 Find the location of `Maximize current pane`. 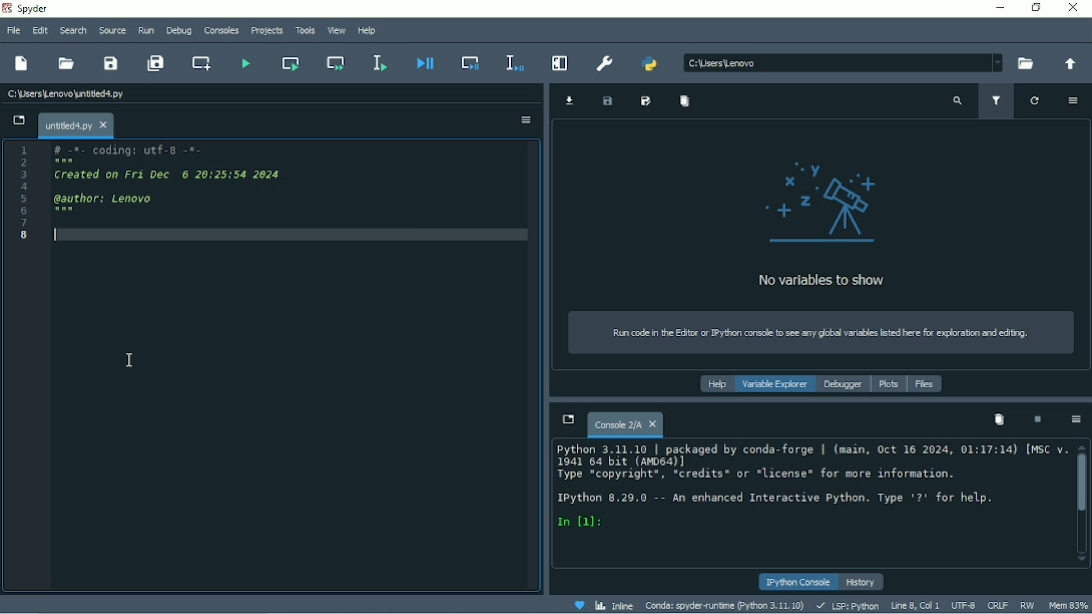

Maximize current pane is located at coordinates (558, 62).